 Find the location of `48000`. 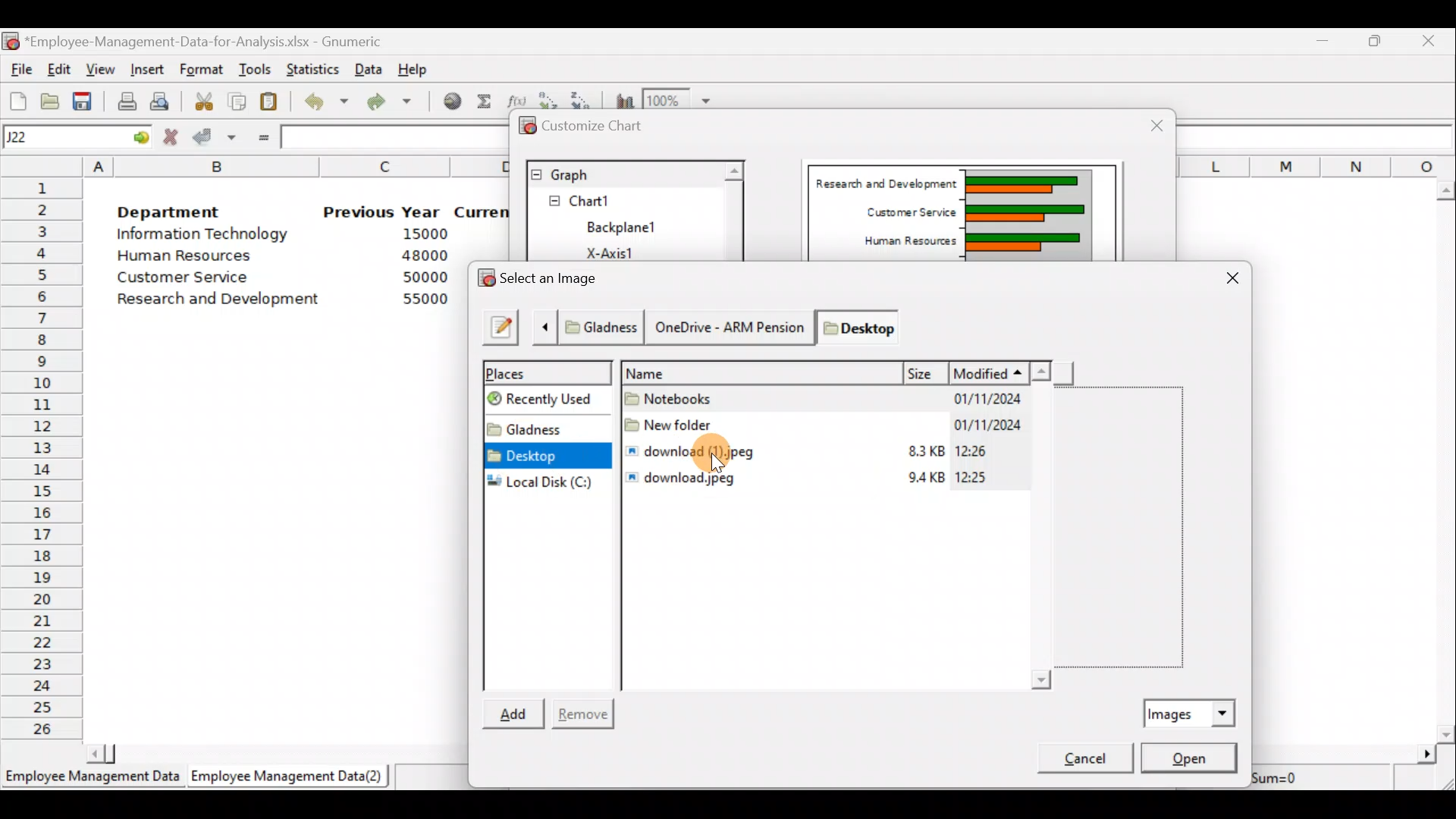

48000 is located at coordinates (424, 257).